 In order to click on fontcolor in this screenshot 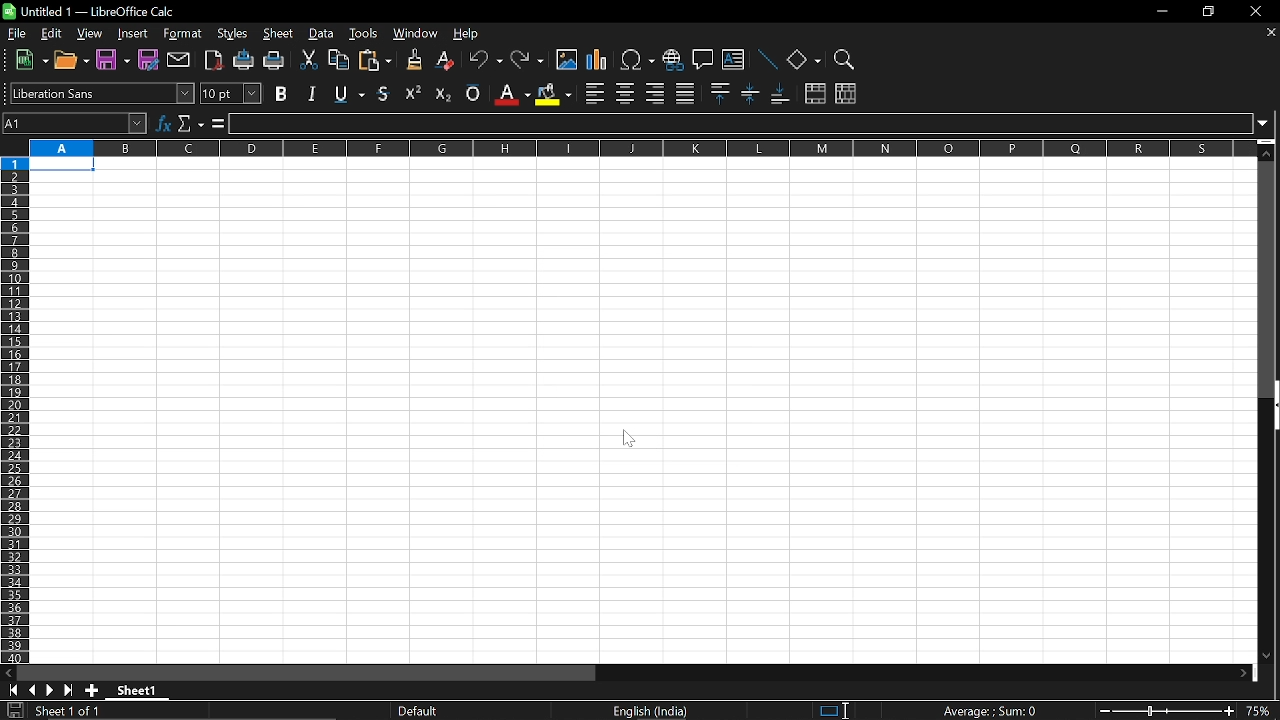, I will do `click(511, 94)`.